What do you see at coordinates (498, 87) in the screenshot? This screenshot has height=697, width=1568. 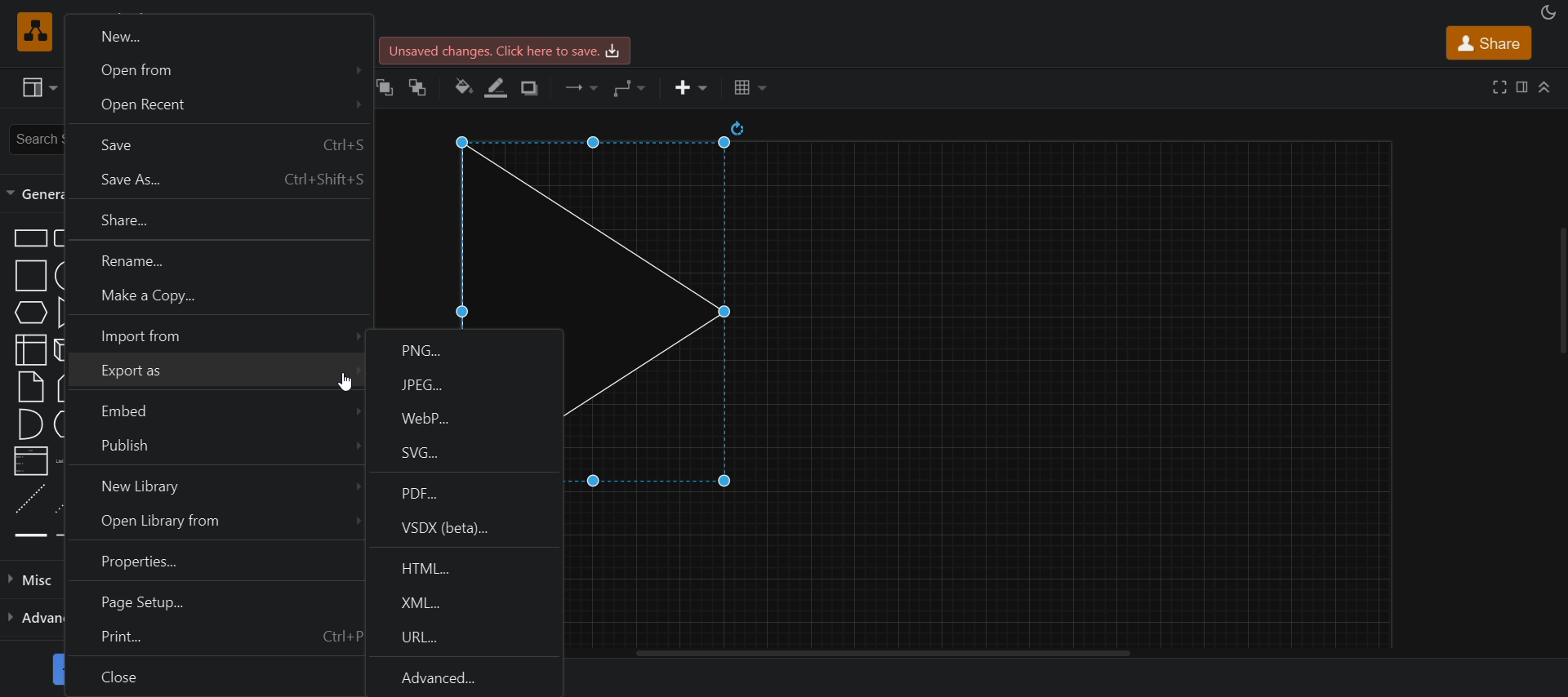 I see `line color` at bounding box center [498, 87].